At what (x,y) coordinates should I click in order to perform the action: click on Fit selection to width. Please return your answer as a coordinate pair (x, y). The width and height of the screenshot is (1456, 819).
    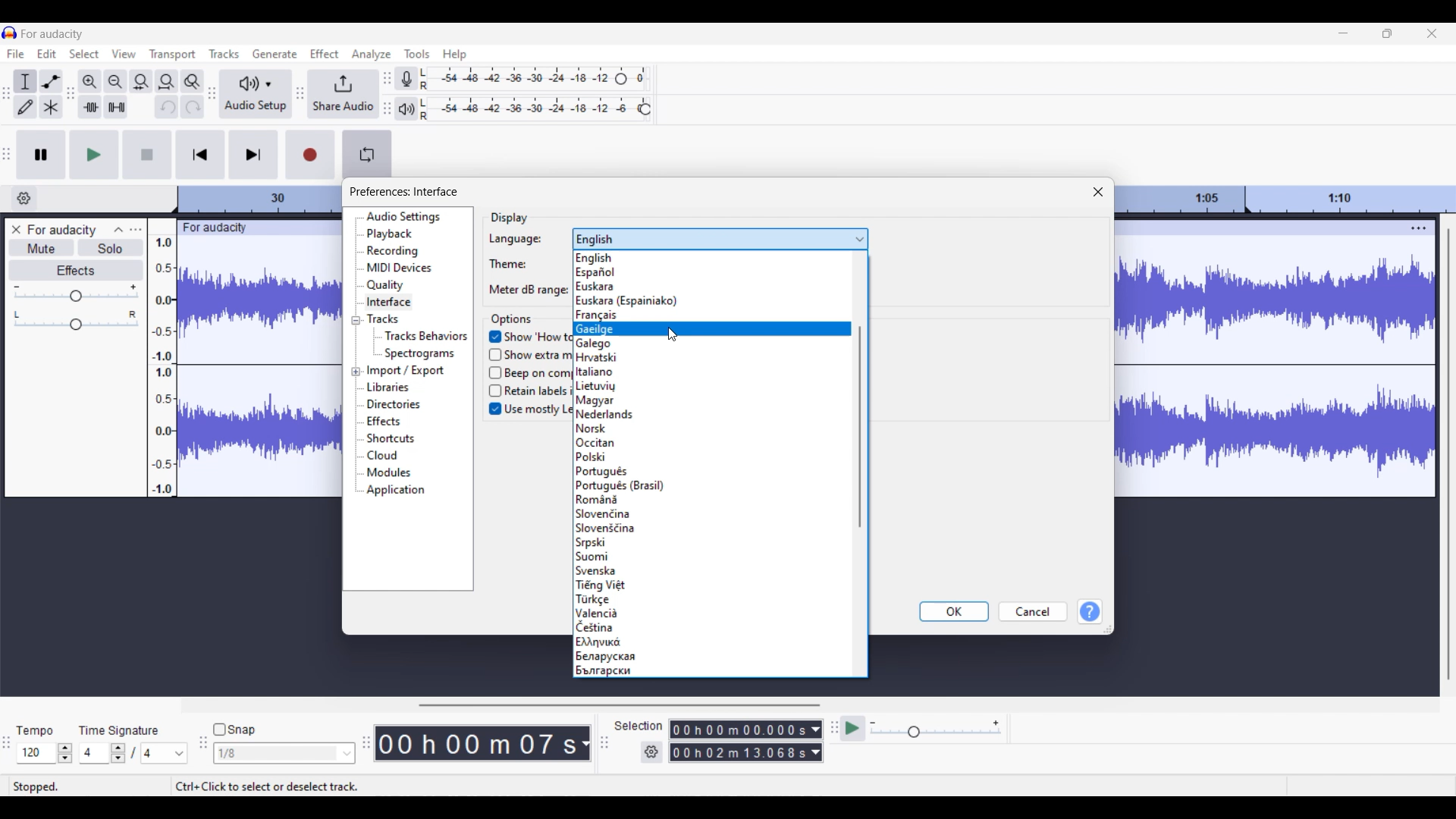
    Looking at the image, I should click on (141, 82).